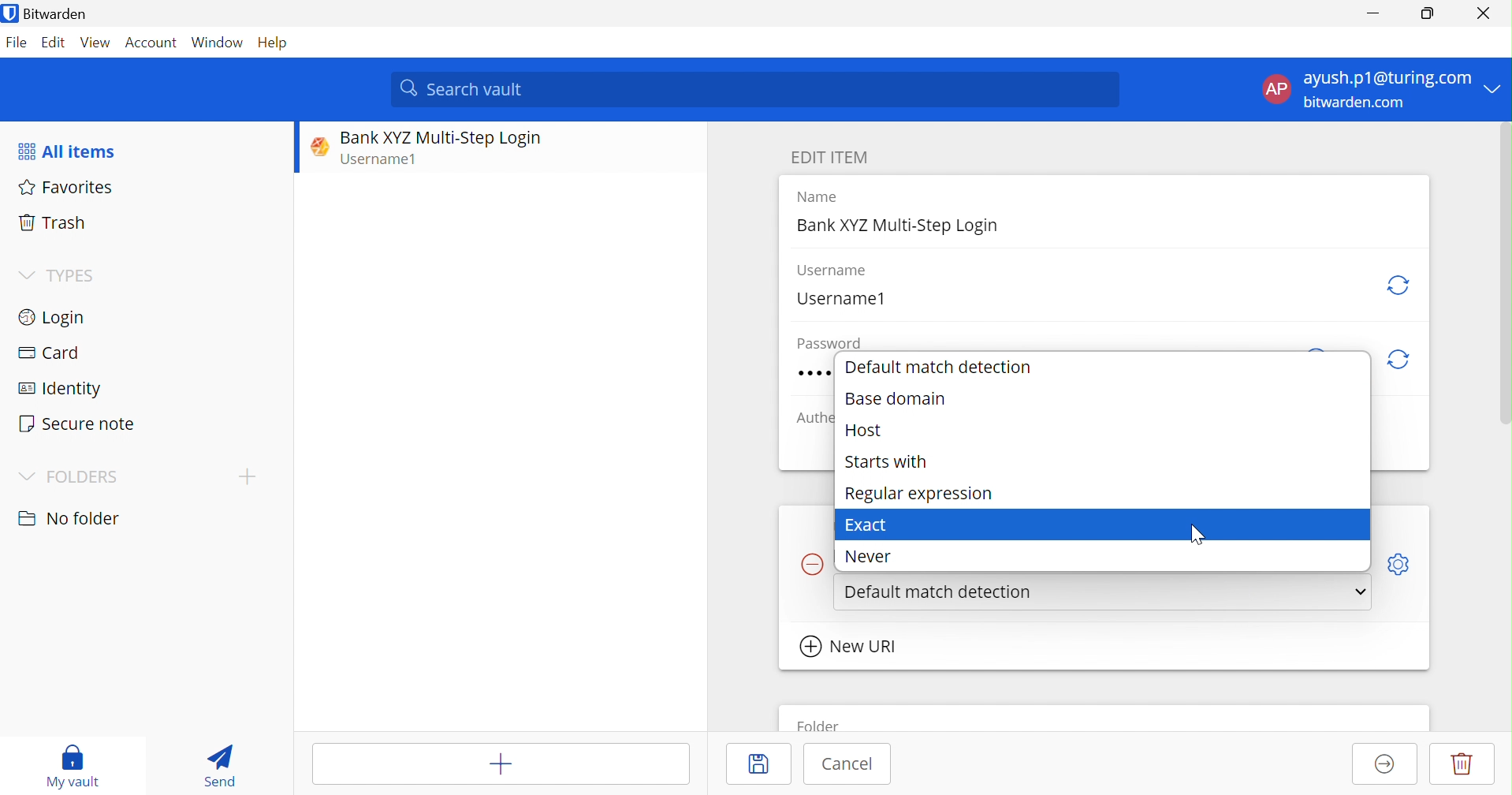 The image size is (1512, 795). I want to click on Default match detection, so click(942, 590).